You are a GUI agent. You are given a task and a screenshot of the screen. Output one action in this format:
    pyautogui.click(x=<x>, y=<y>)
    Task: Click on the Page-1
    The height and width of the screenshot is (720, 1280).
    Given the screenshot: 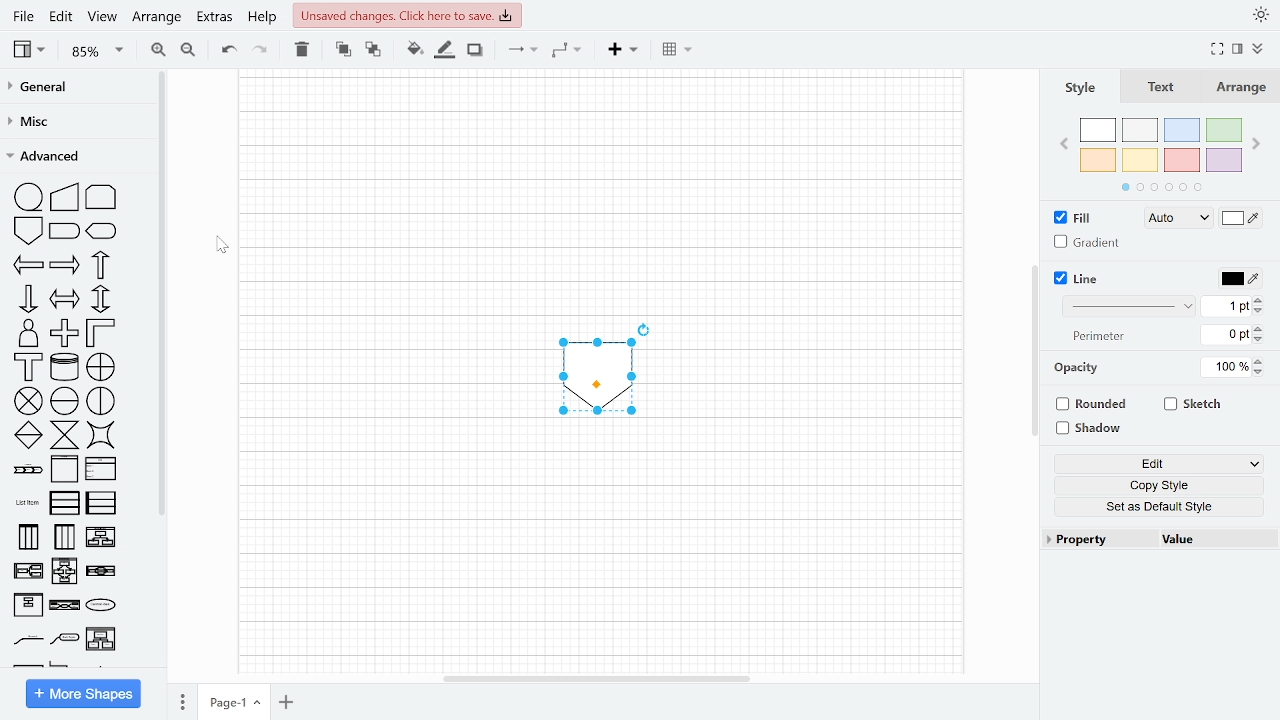 What is the action you would take?
    pyautogui.click(x=234, y=700)
    